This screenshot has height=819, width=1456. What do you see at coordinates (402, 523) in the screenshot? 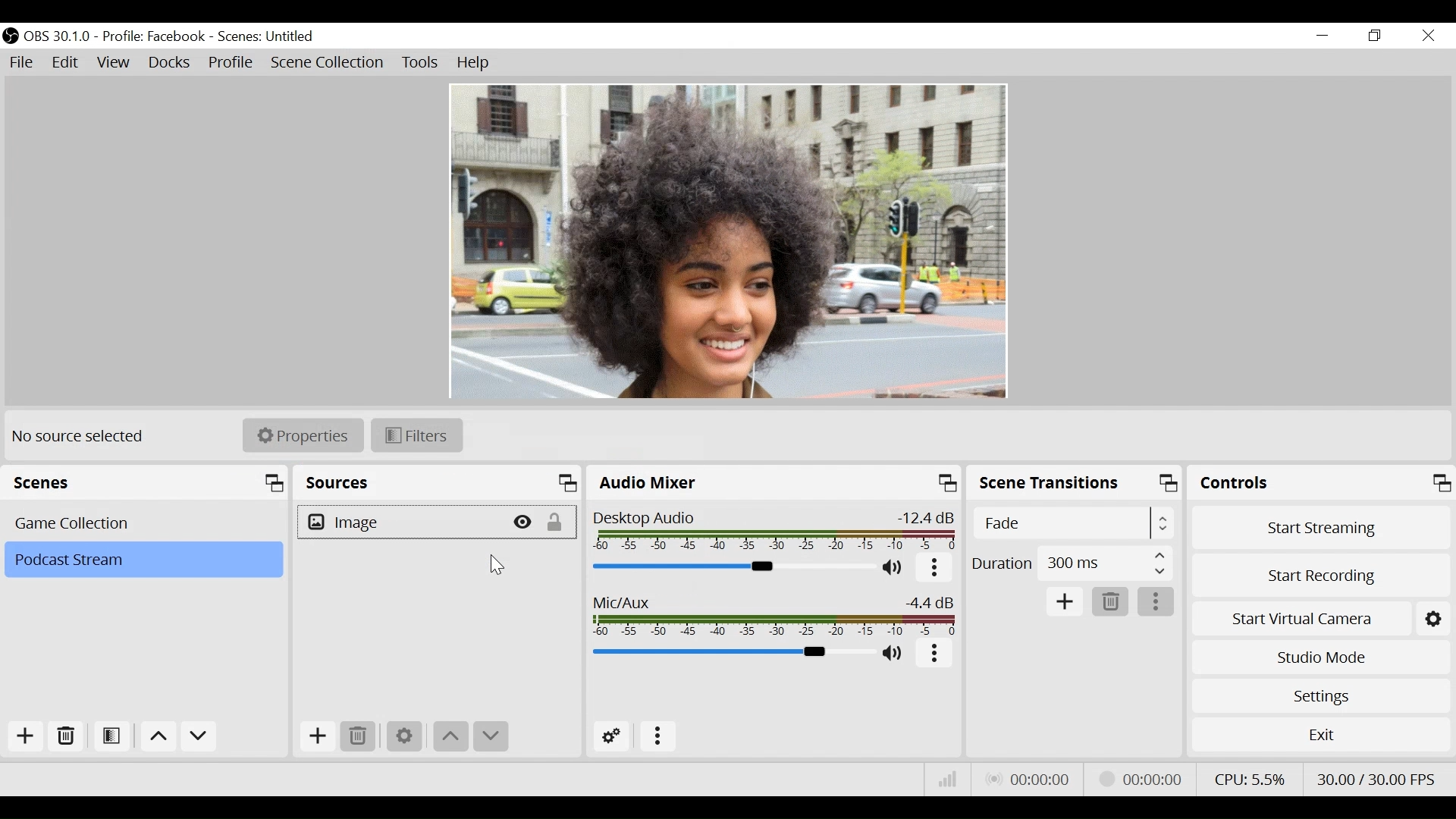
I see `Image` at bounding box center [402, 523].